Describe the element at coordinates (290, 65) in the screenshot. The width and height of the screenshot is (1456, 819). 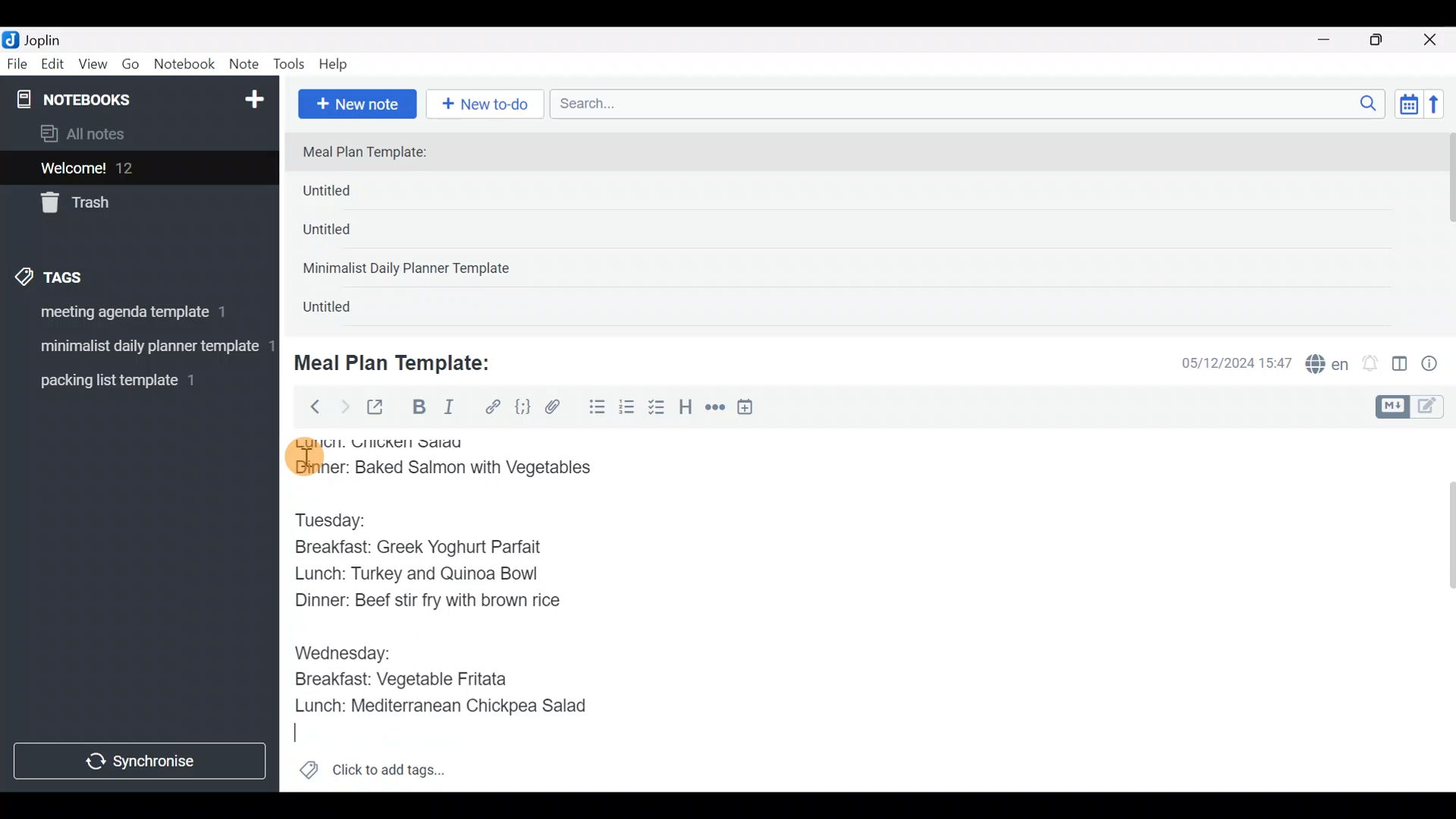
I see `Tools` at that location.